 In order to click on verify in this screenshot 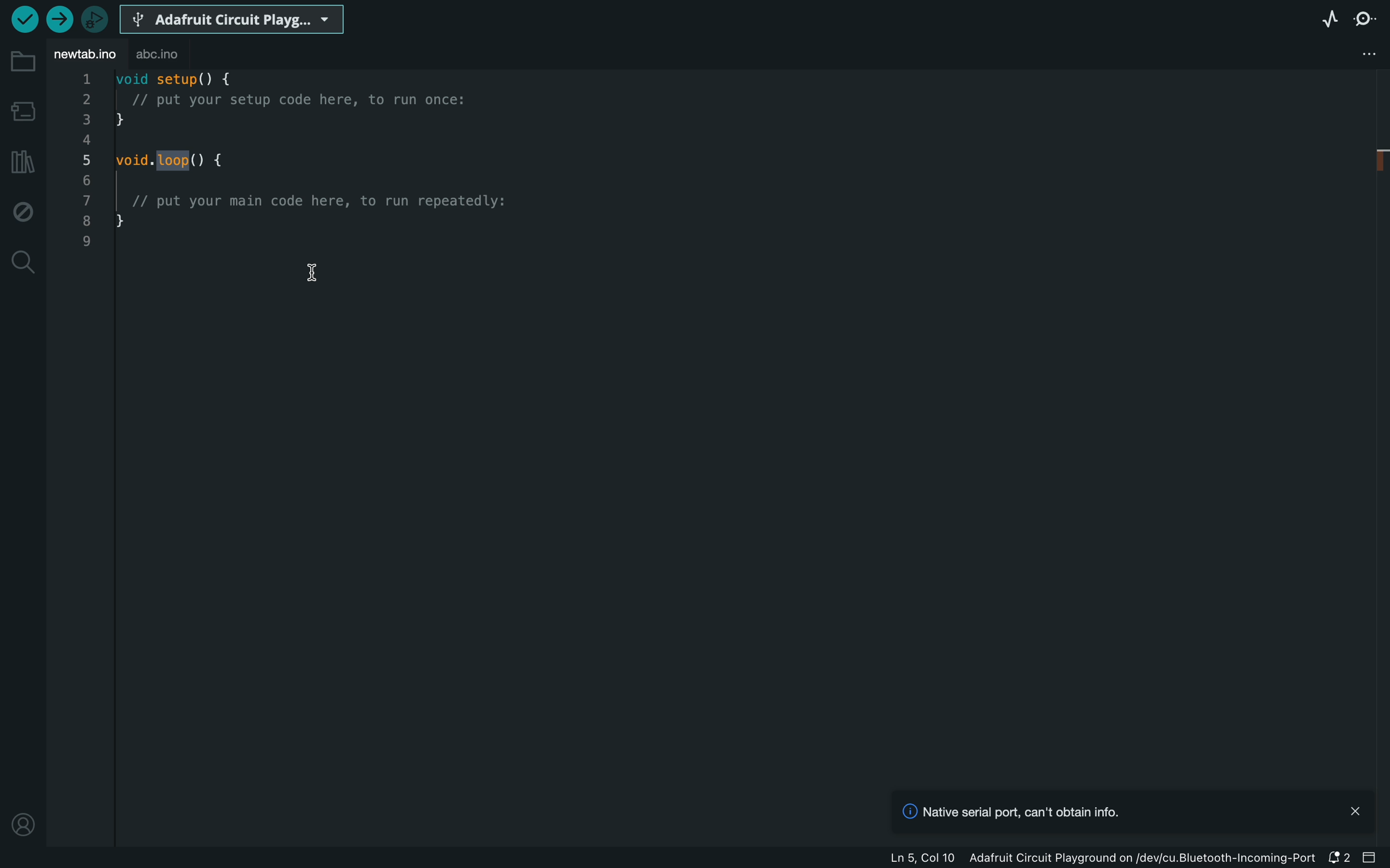, I will do `click(22, 20)`.